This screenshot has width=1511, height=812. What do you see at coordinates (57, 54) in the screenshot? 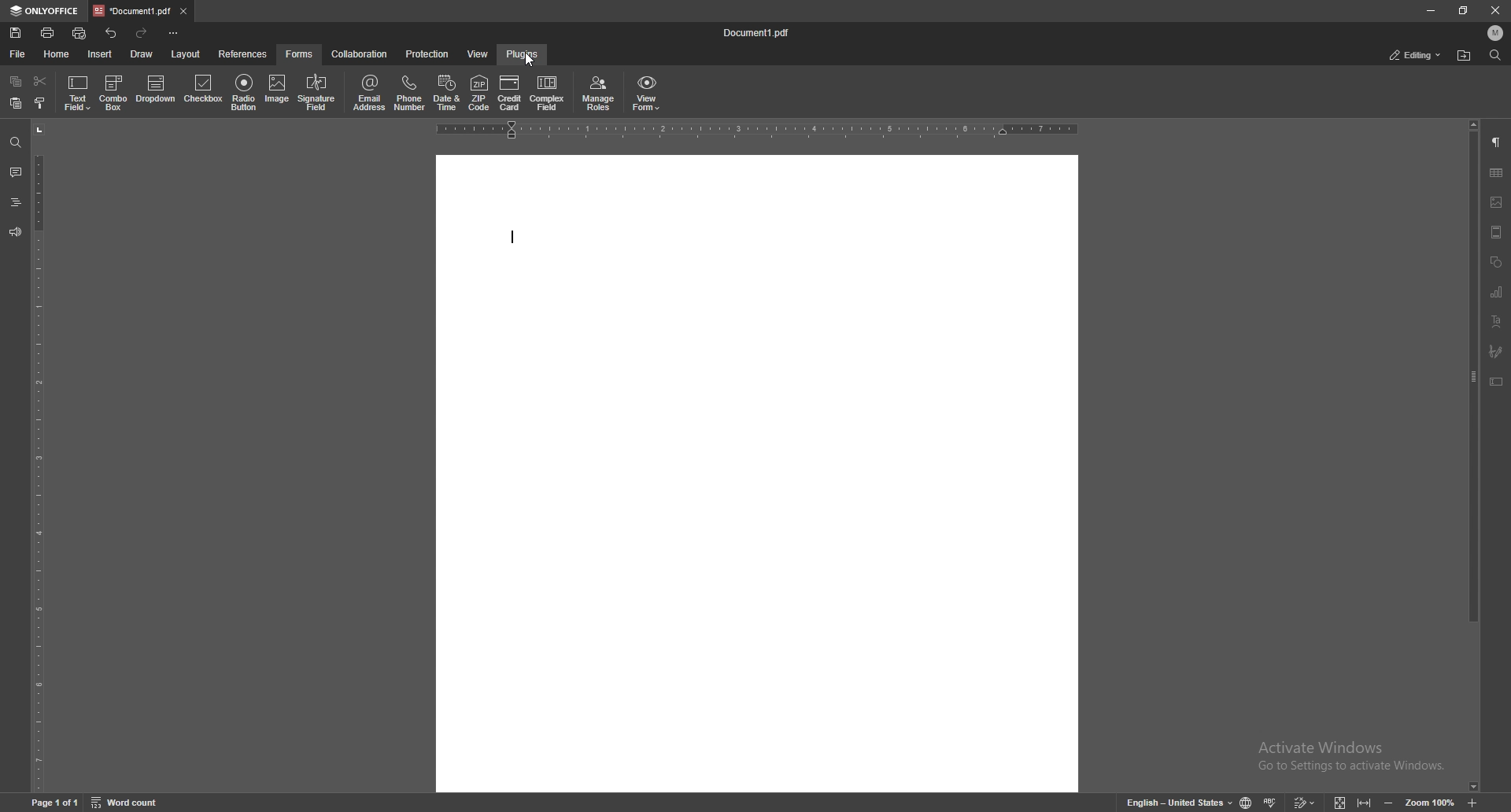
I see `home` at bounding box center [57, 54].